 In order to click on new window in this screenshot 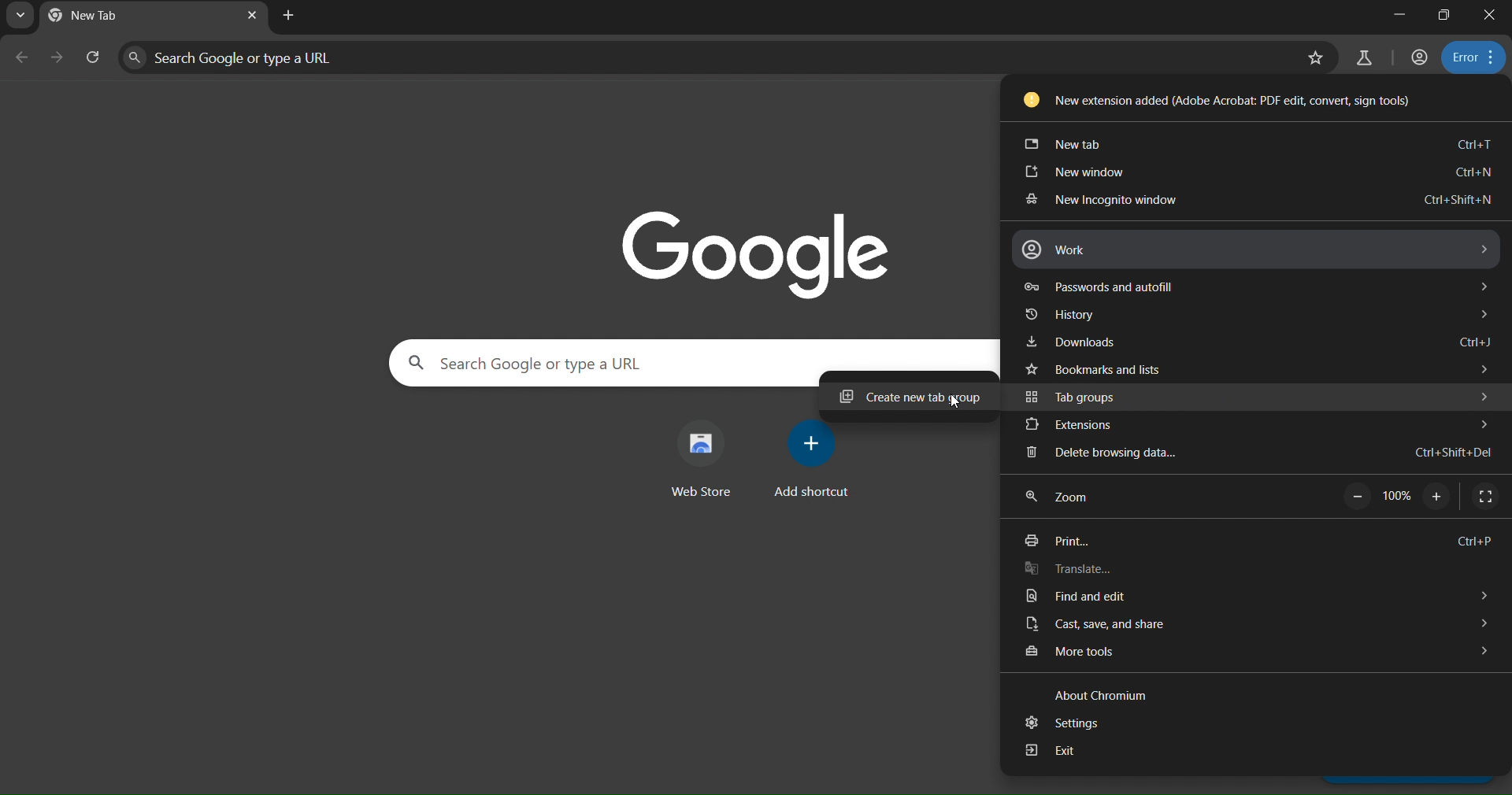, I will do `click(1256, 172)`.